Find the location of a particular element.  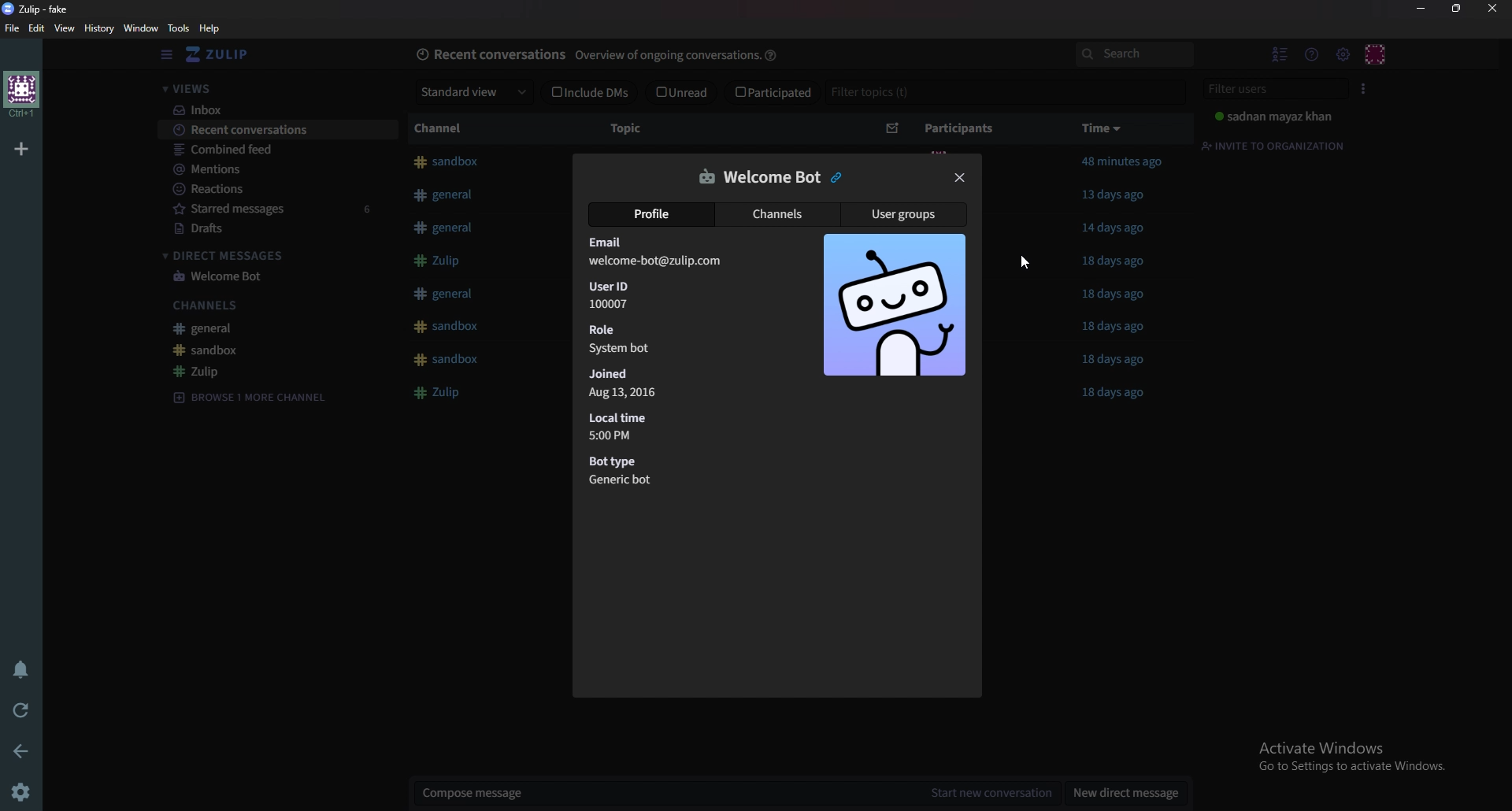

Inbox is located at coordinates (270, 109).